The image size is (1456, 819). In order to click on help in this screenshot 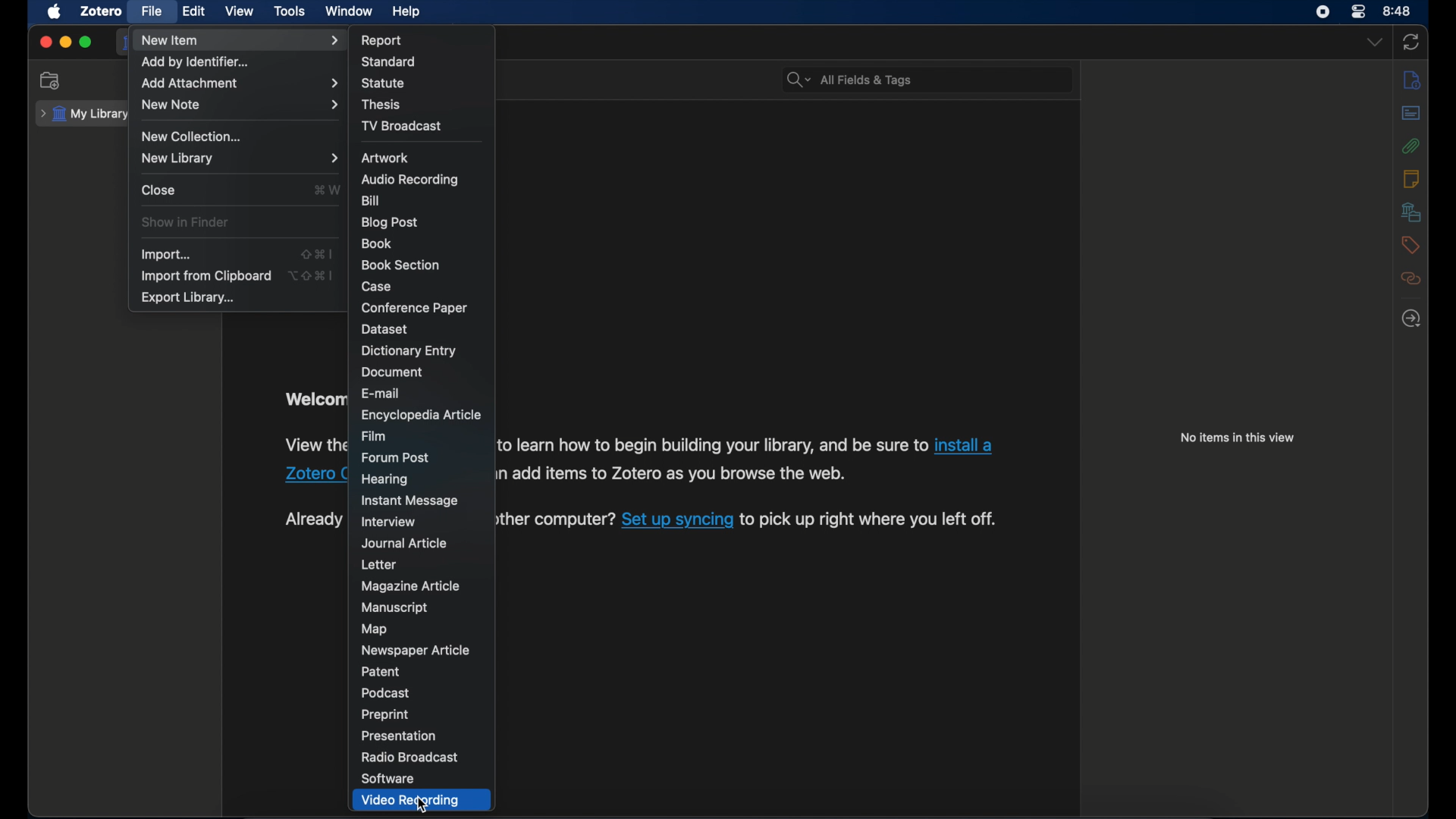, I will do `click(408, 12)`.